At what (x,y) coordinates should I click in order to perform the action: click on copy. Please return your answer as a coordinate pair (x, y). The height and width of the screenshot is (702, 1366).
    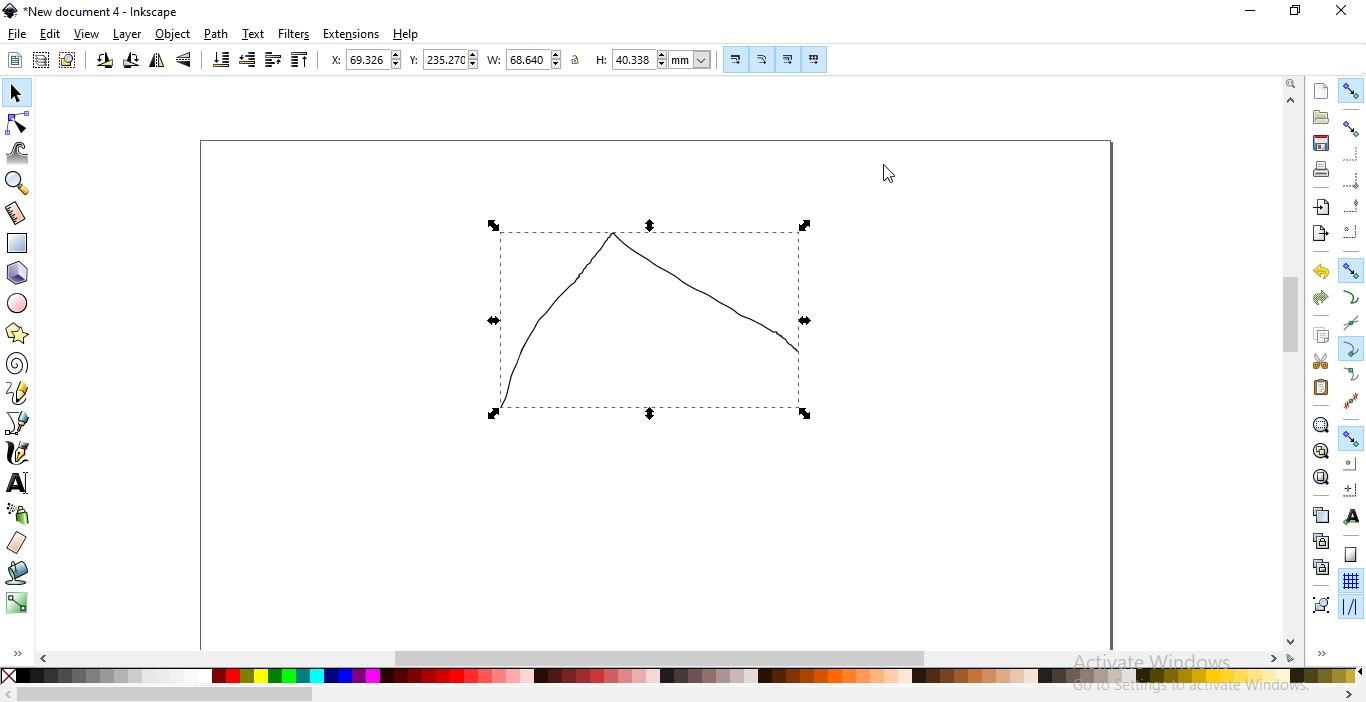
    Looking at the image, I should click on (1320, 333).